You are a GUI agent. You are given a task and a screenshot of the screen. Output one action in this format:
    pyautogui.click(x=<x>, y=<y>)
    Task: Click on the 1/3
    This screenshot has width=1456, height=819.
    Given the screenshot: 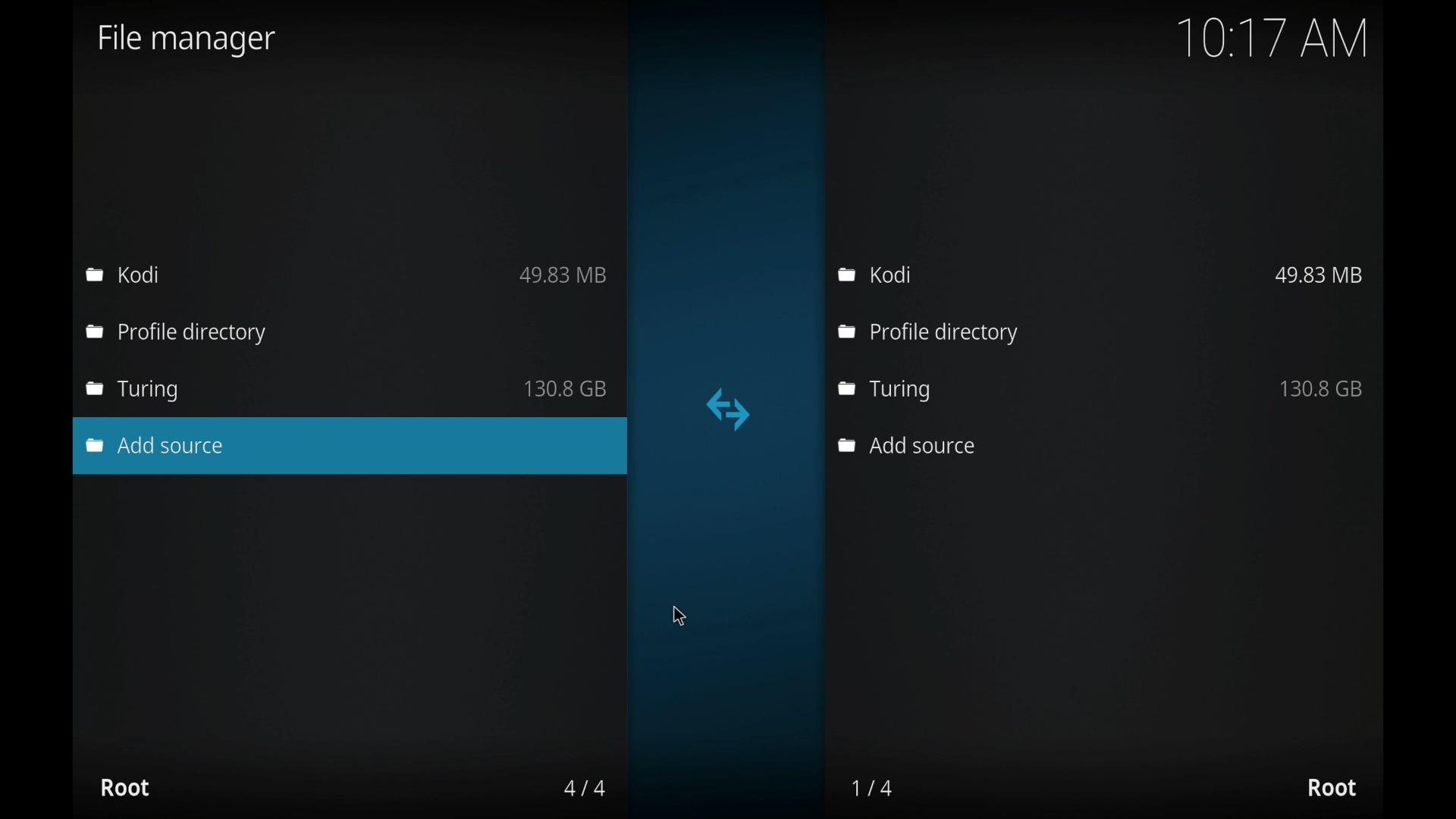 What is the action you would take?
    pyautogui.click(x=874, y=788)
    